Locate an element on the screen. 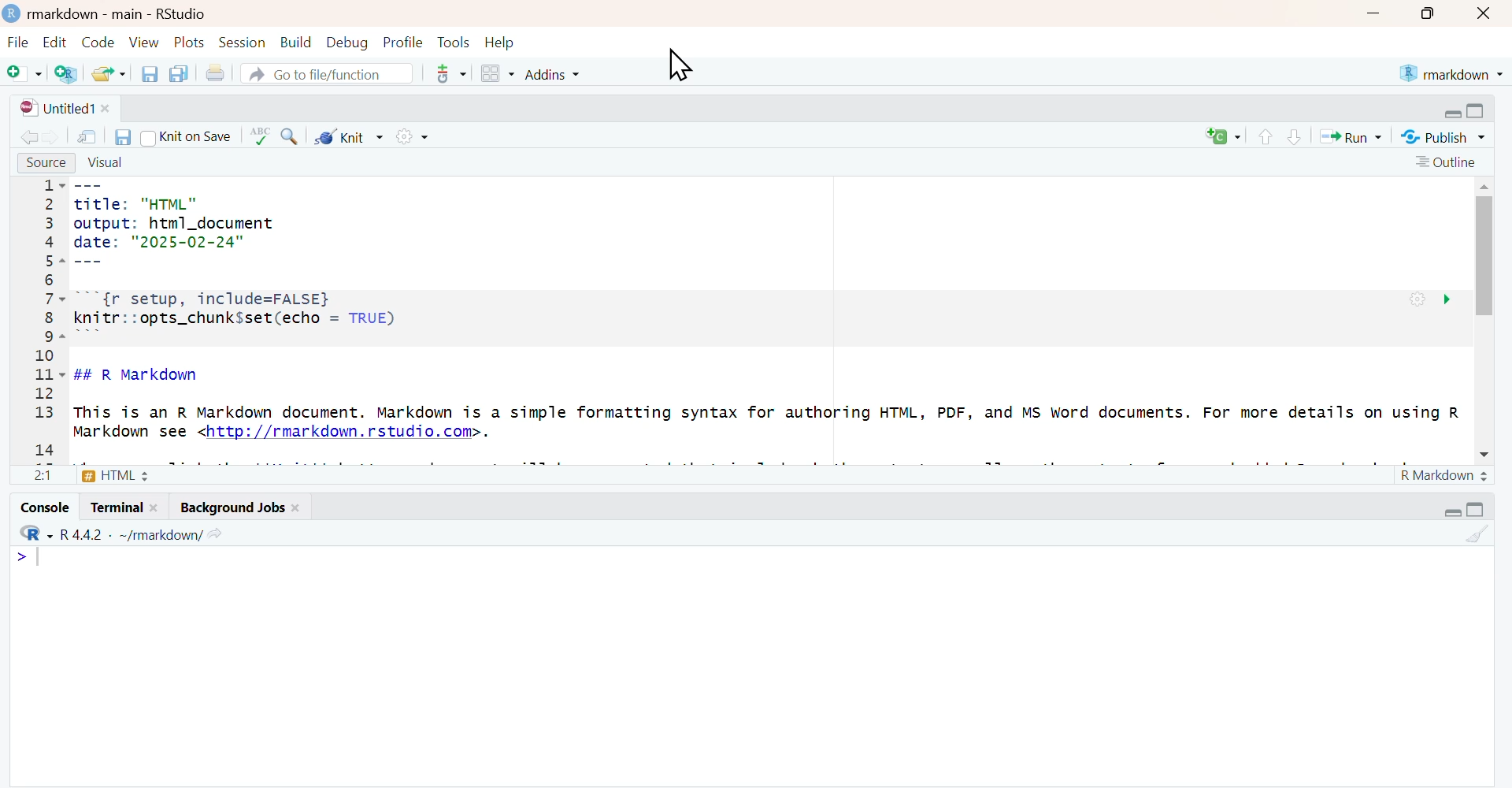 The image size is (1512, 788). Untitled1 is located at coordinates (65, 109).